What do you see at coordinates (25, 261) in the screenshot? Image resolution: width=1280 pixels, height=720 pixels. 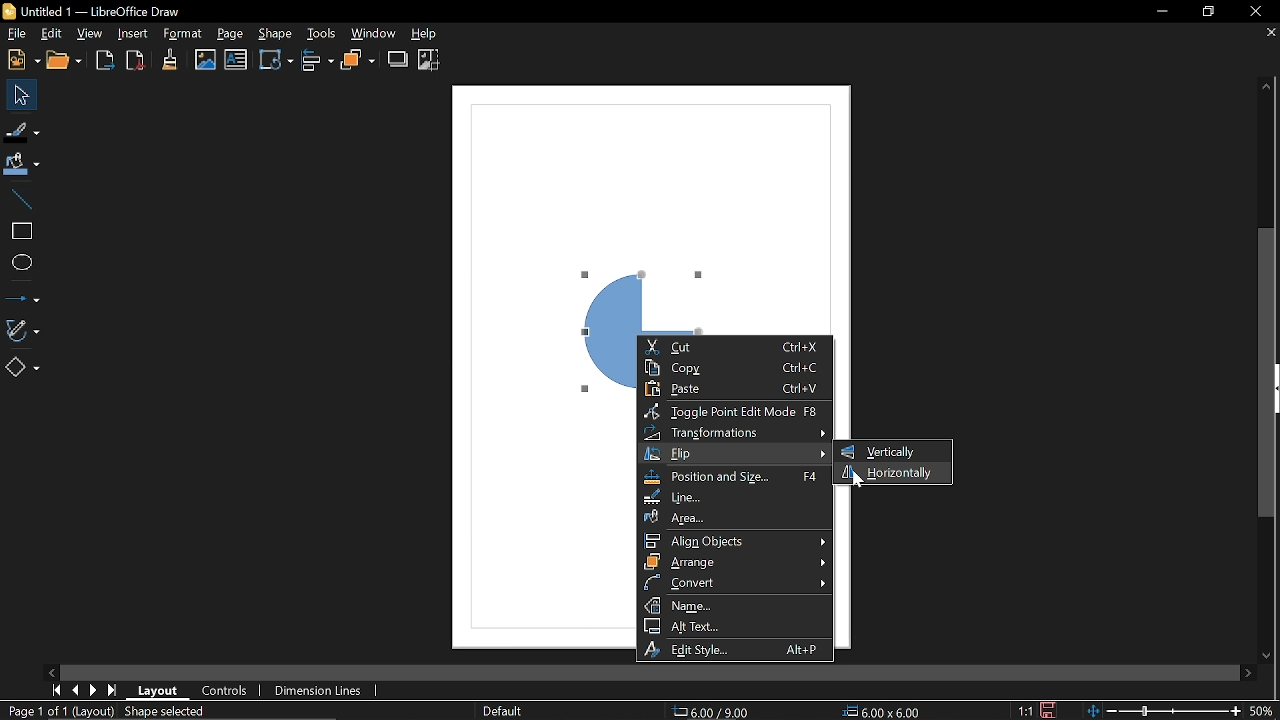 I see `Ellipse` at bounding box center [25, 261].